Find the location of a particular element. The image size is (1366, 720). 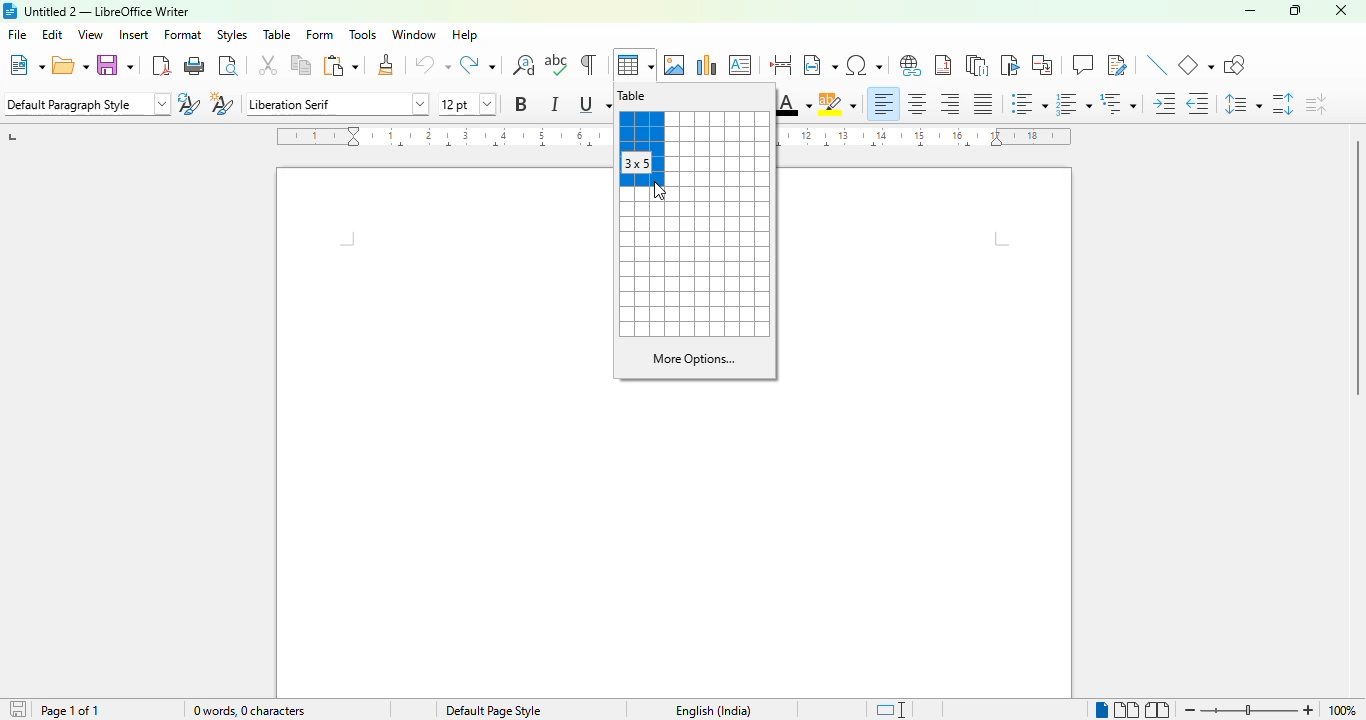

help is located at coordinates (464, 35).